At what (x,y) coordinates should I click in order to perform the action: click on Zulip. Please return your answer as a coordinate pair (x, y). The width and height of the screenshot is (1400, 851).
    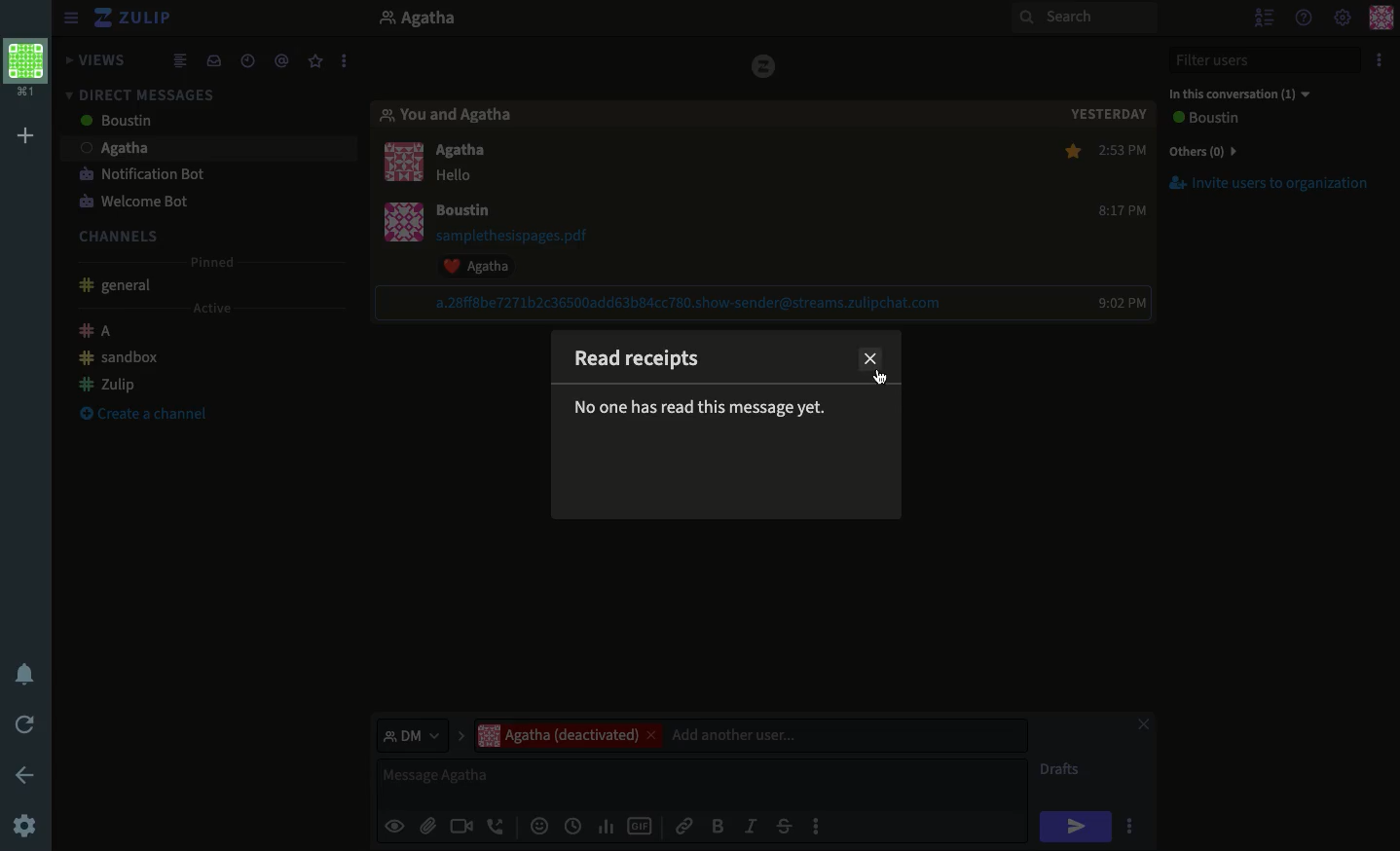
    Looking at the image, I should click on (108, 382).